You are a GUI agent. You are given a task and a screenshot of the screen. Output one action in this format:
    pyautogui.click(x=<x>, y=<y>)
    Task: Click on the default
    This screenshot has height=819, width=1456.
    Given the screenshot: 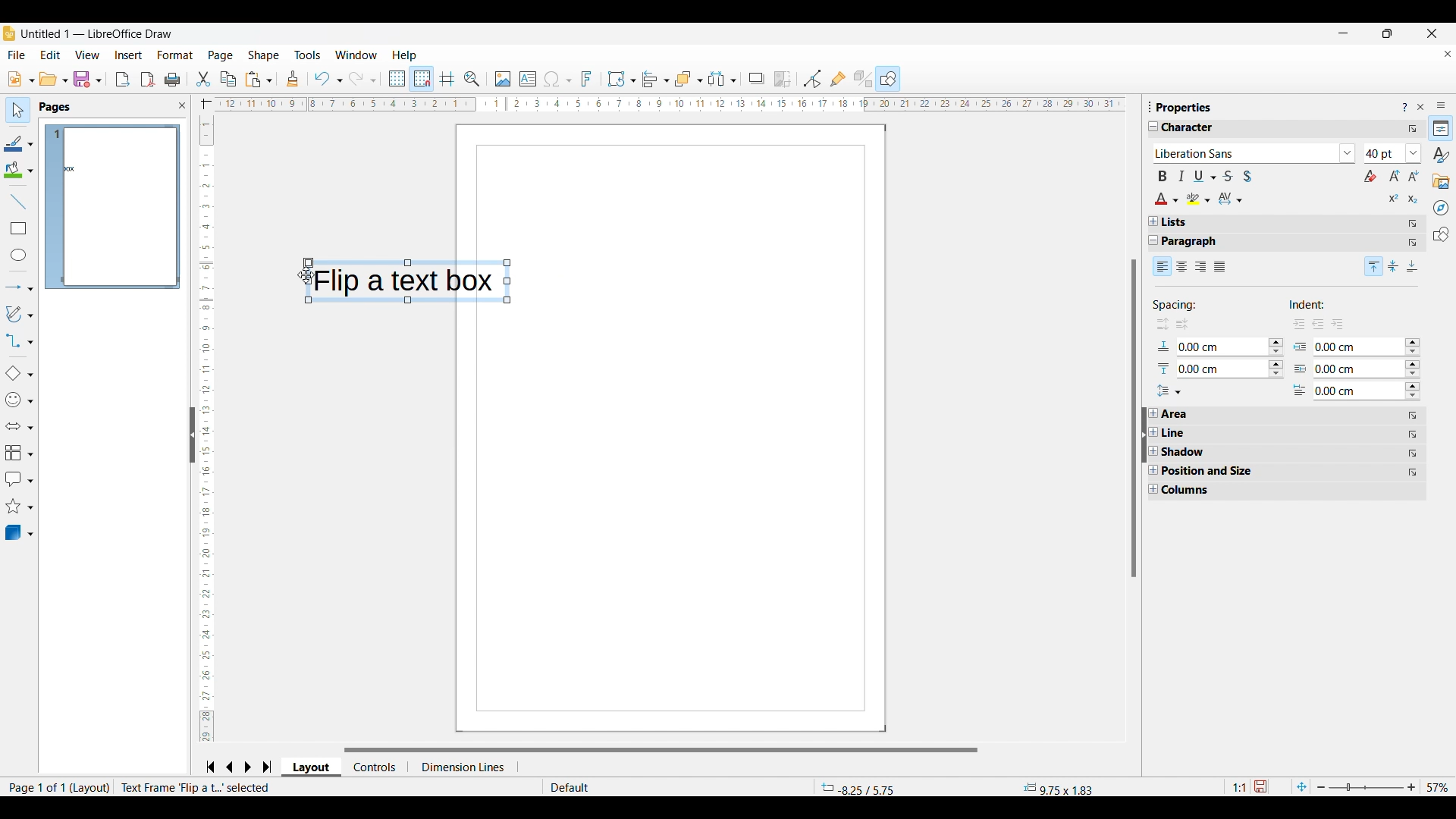 What is the action you would take?
    pyautogui.click(x=607, y=787)
    